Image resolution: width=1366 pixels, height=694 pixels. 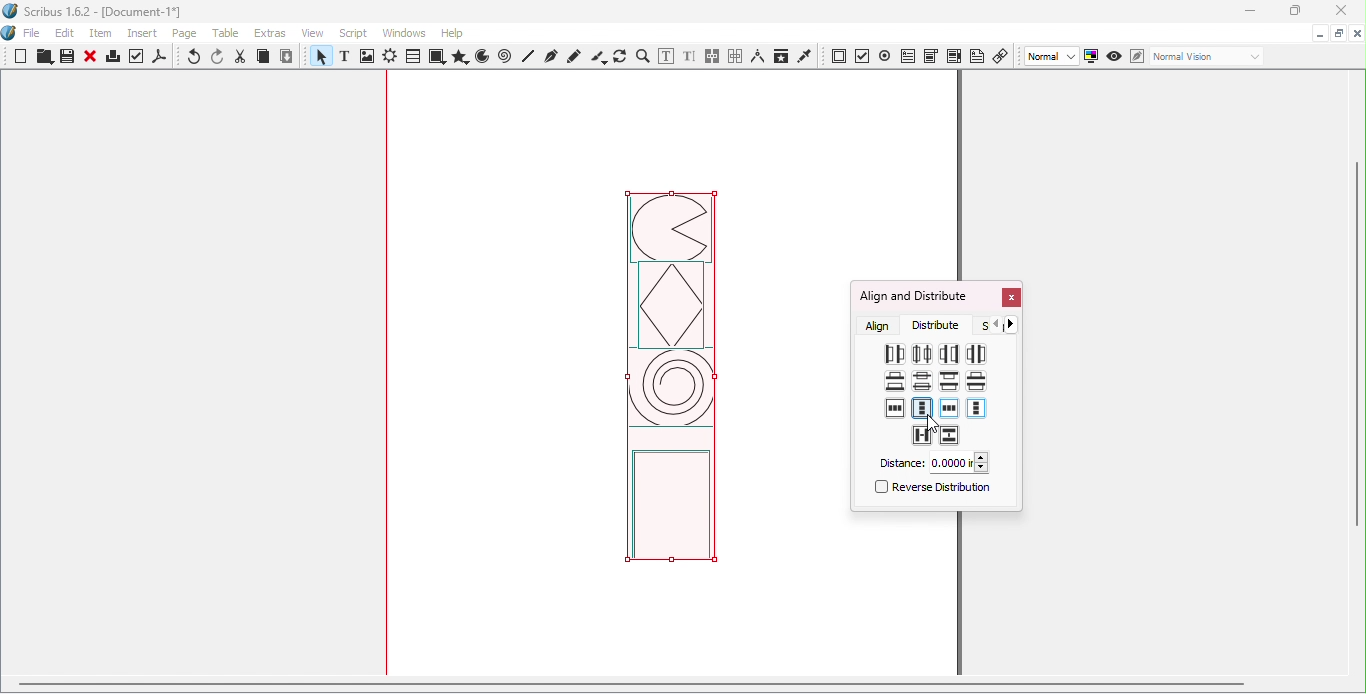 What do you see at coordinates (42, 58) in the screenshot?
I see `Open` at bounding box center [42, 58].